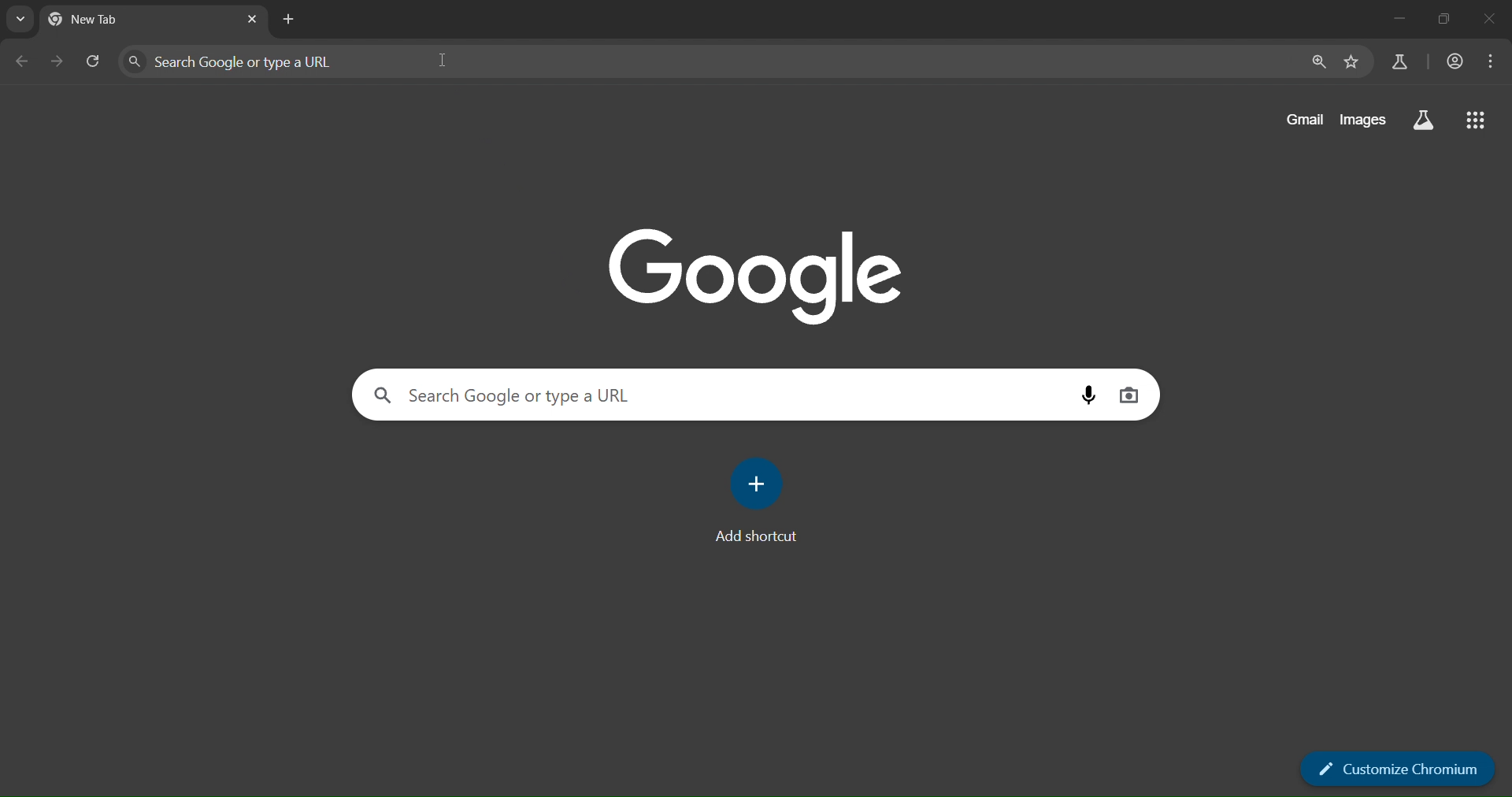 The width and height of the screenshot is (1512, 797). Describe the element at coordinates (1457, 61) in the screenshot. I see `accounts` at that location.